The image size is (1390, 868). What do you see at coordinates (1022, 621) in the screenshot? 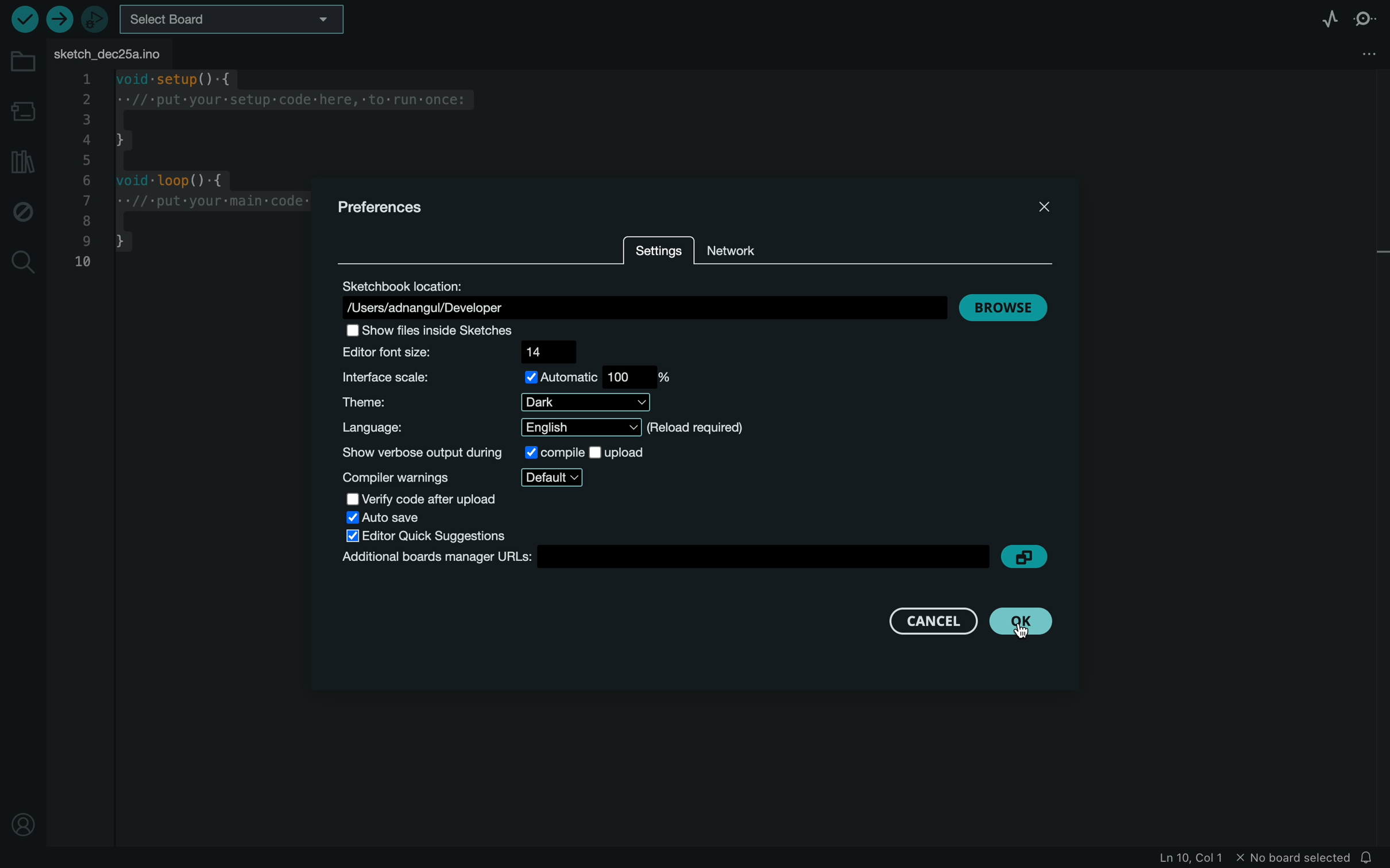
I see `clicked` at bounding box center [1022, 621].